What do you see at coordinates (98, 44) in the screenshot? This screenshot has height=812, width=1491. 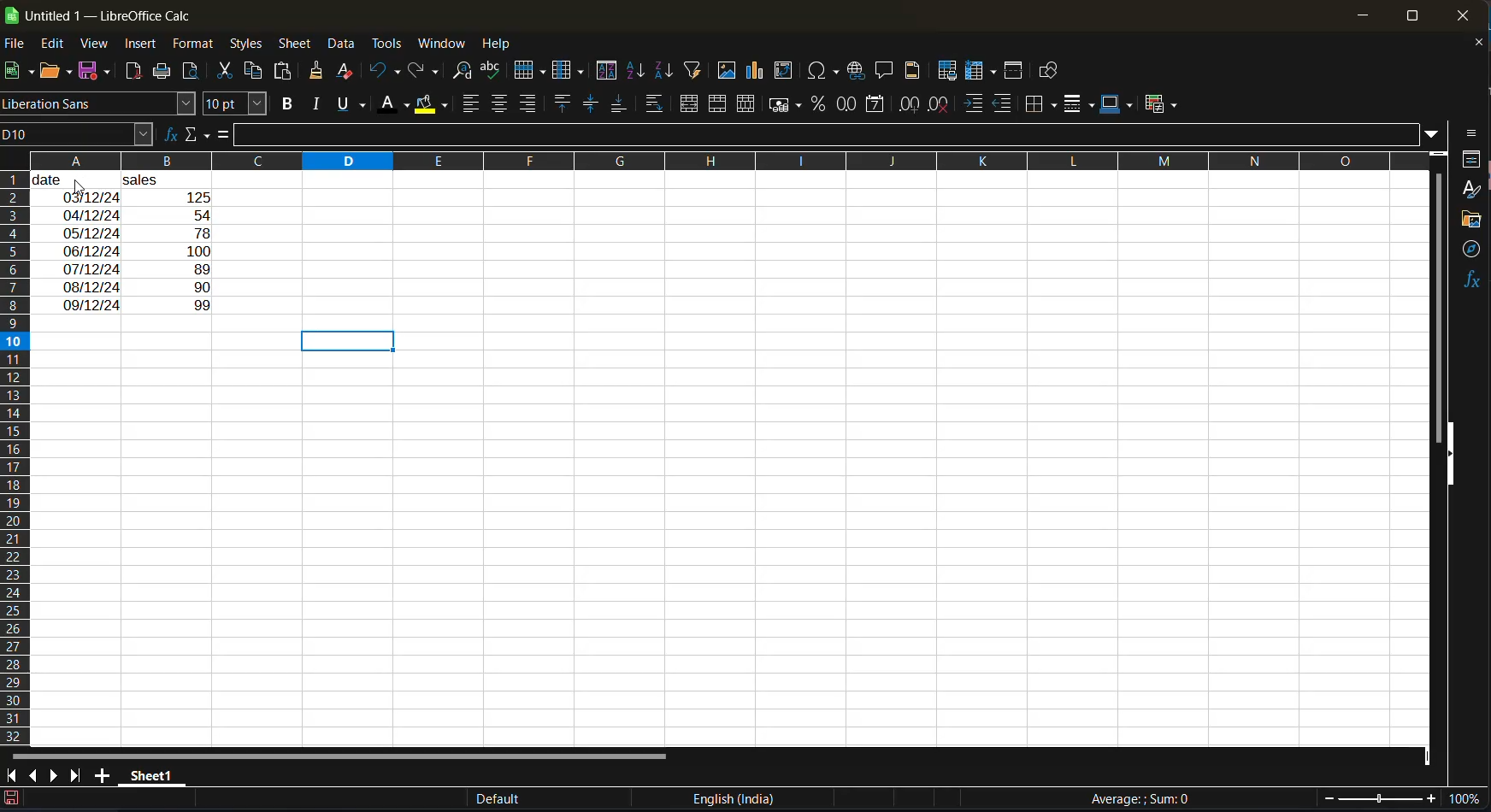 I see `view` at bounding box center [98, 44].